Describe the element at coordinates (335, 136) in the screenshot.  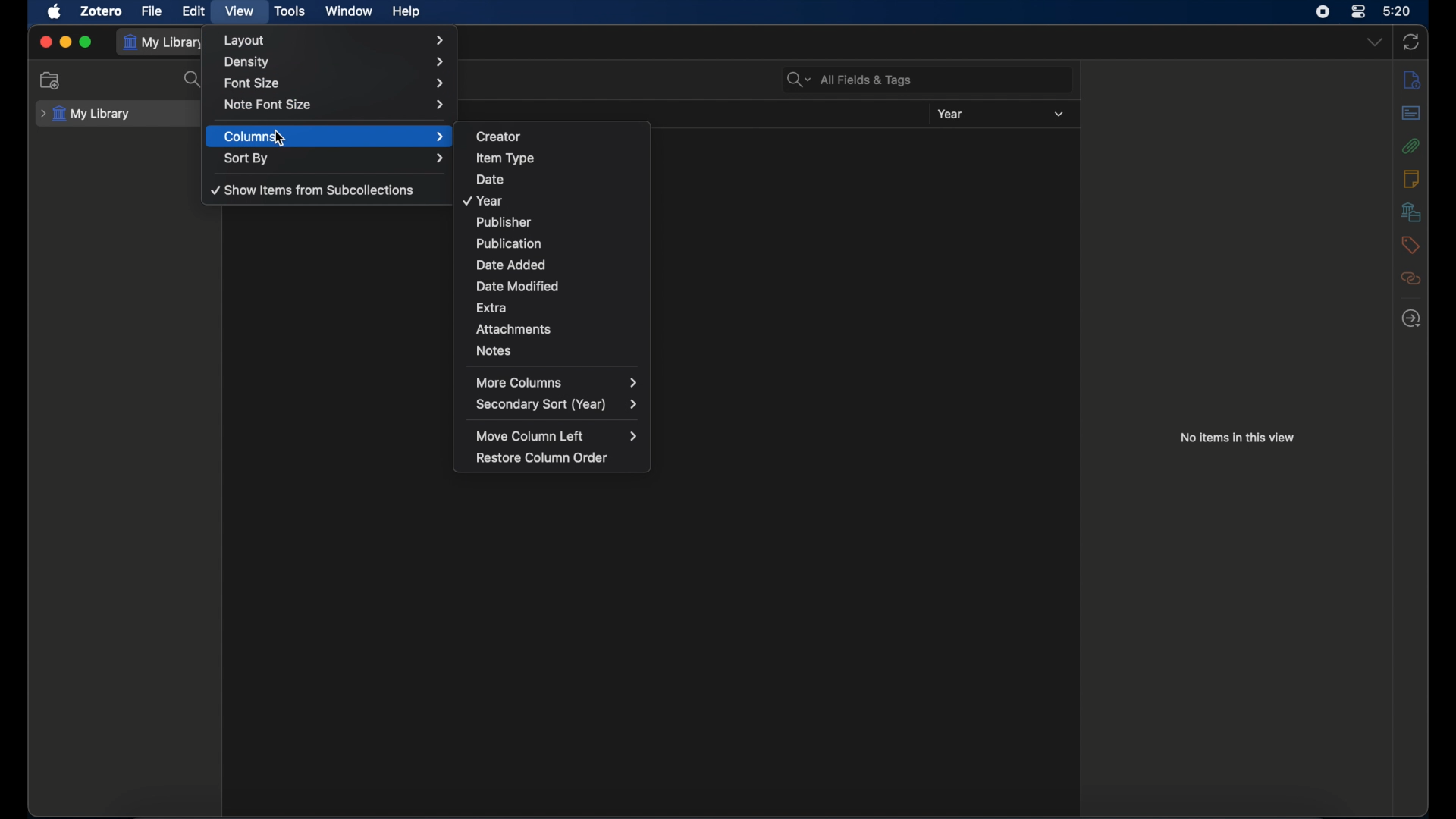
I see `columns` at that location.